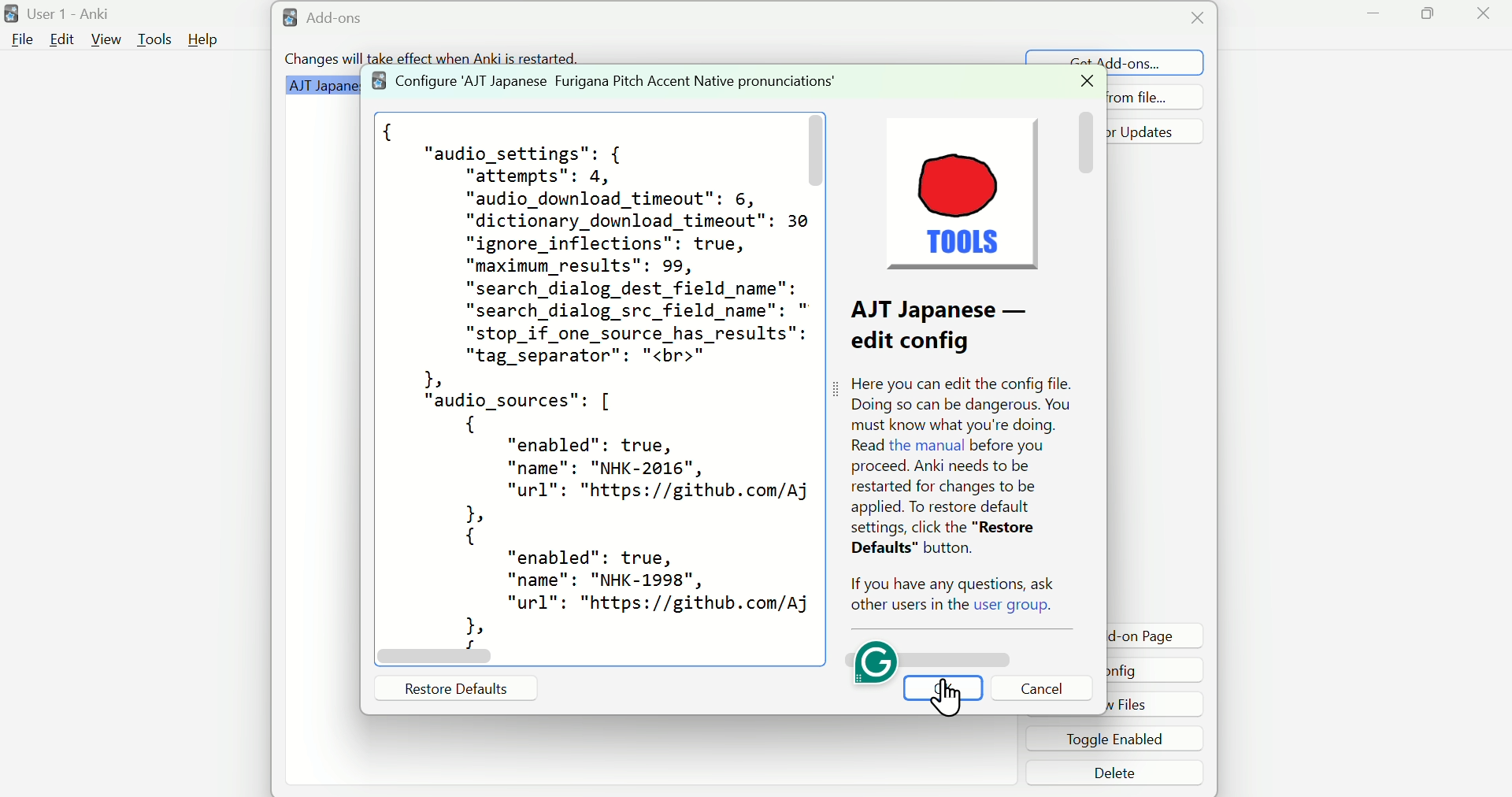 Image resolution: width=1512 pixels, height=797 pixels. Describe the element at coordinates (1116, 773) in the screenshot. I see `Delete` at that location.